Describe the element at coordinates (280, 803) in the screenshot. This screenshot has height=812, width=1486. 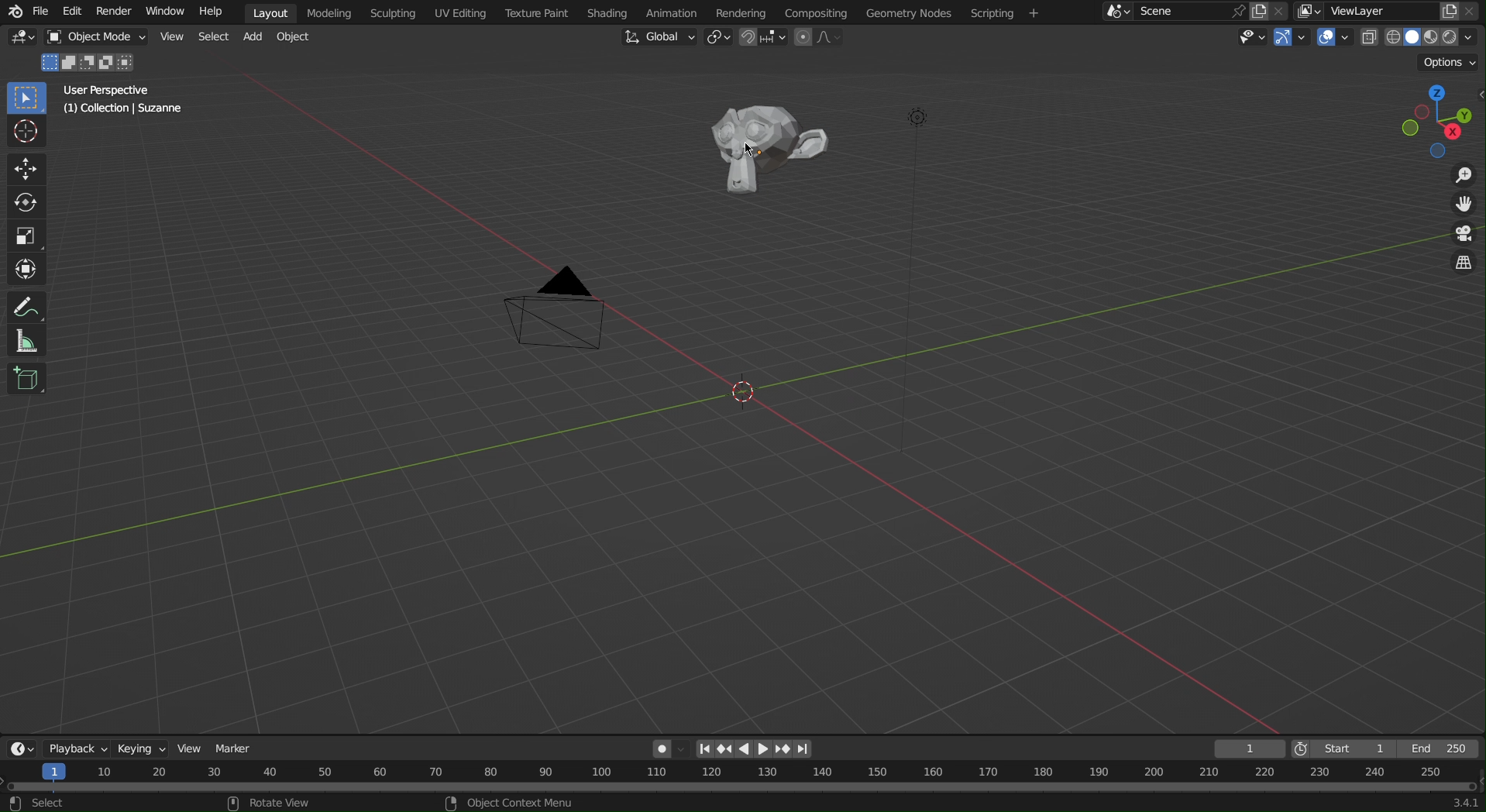
I see `Rotate View` at that location.